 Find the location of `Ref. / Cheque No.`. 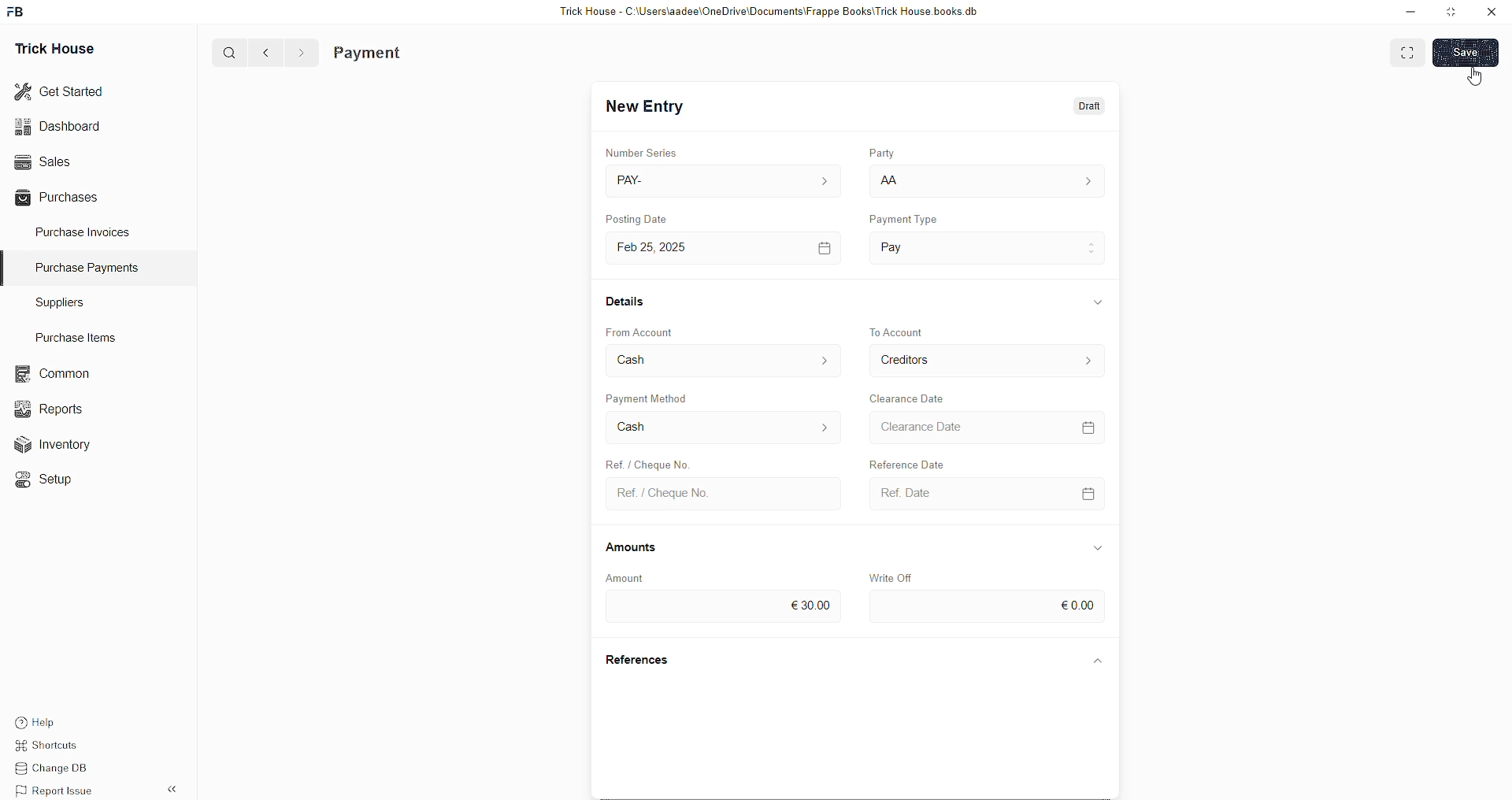

Ref. / Cheque No. is located at coordinates (643, 462).